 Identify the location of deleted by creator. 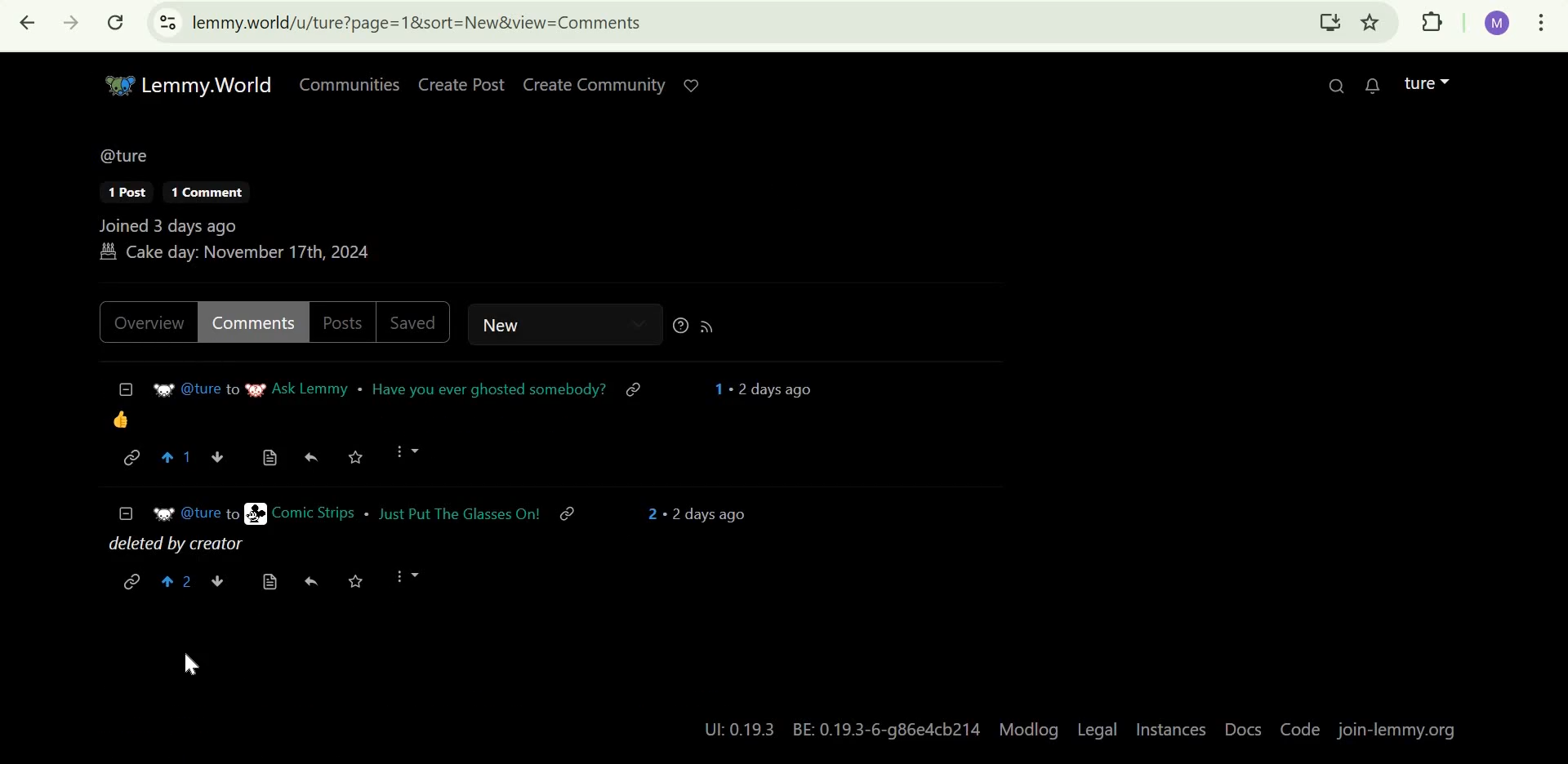
(189, 545).